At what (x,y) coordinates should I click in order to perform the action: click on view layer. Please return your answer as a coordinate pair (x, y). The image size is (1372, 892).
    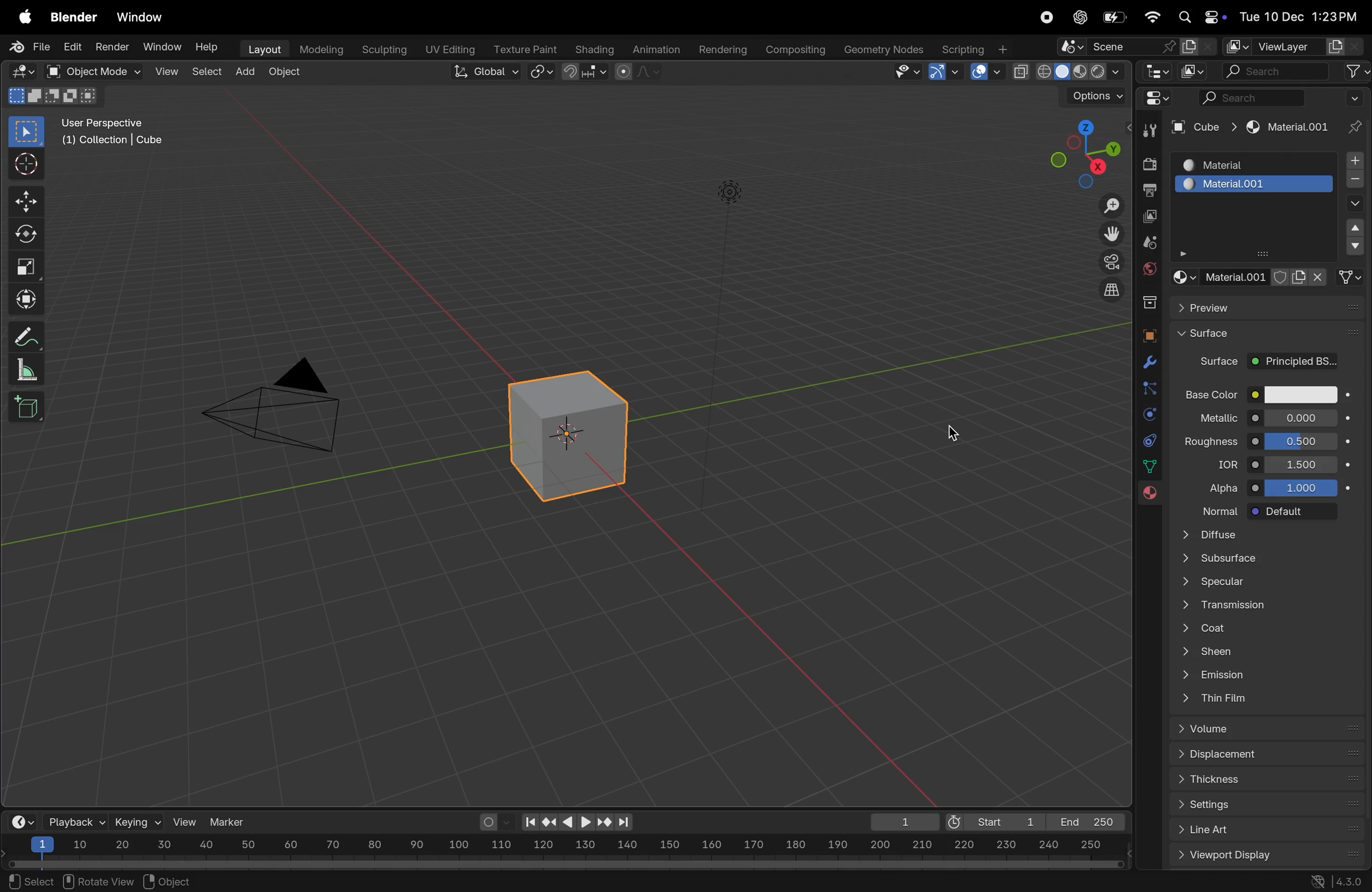
    Looking at the image, I should click on (1284, 44).